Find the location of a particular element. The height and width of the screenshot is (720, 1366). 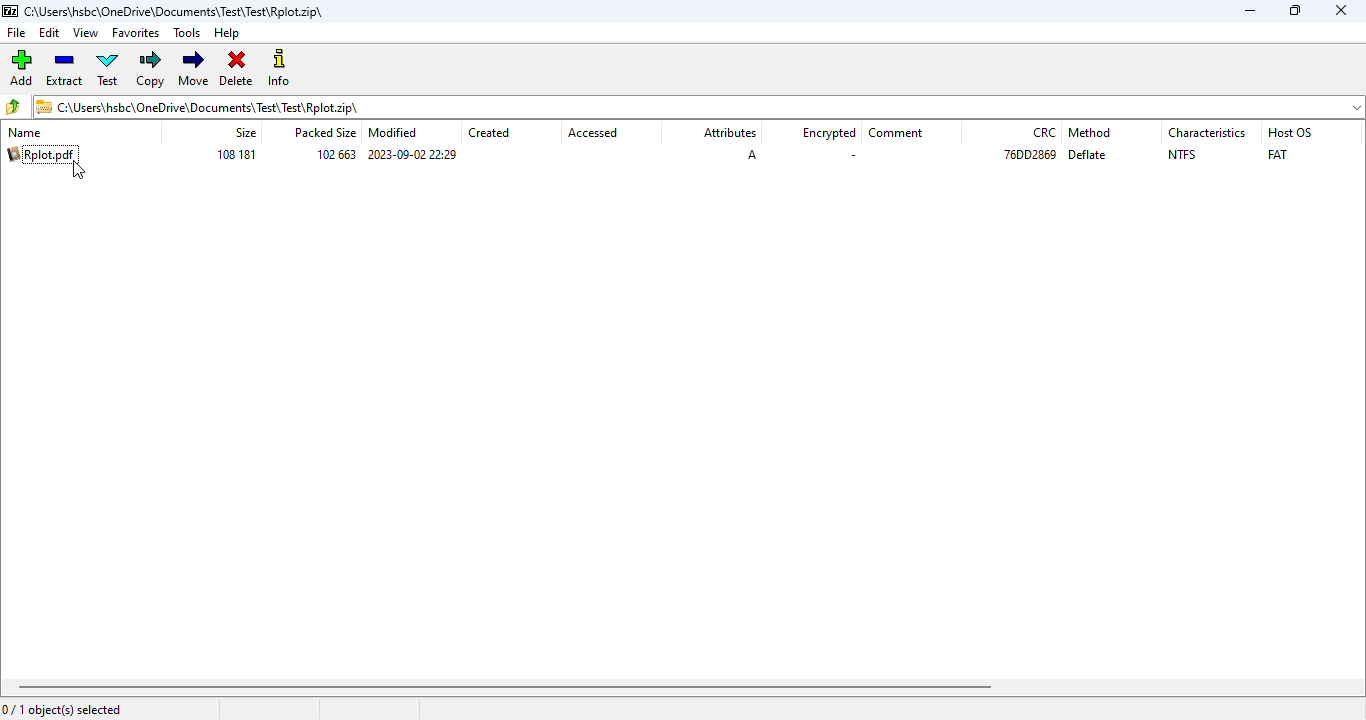

encrypted is located at coordinates (828, 132).